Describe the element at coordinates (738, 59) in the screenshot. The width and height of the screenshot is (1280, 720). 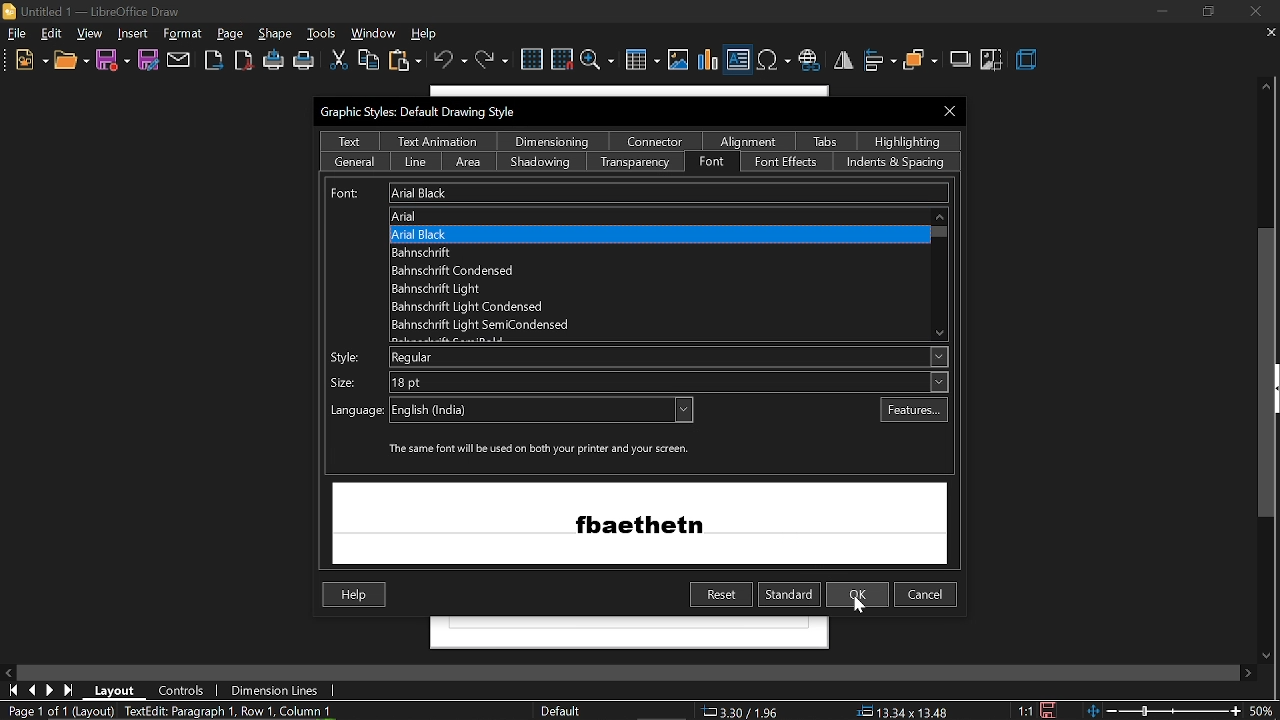
I see `Insert text` at that location.